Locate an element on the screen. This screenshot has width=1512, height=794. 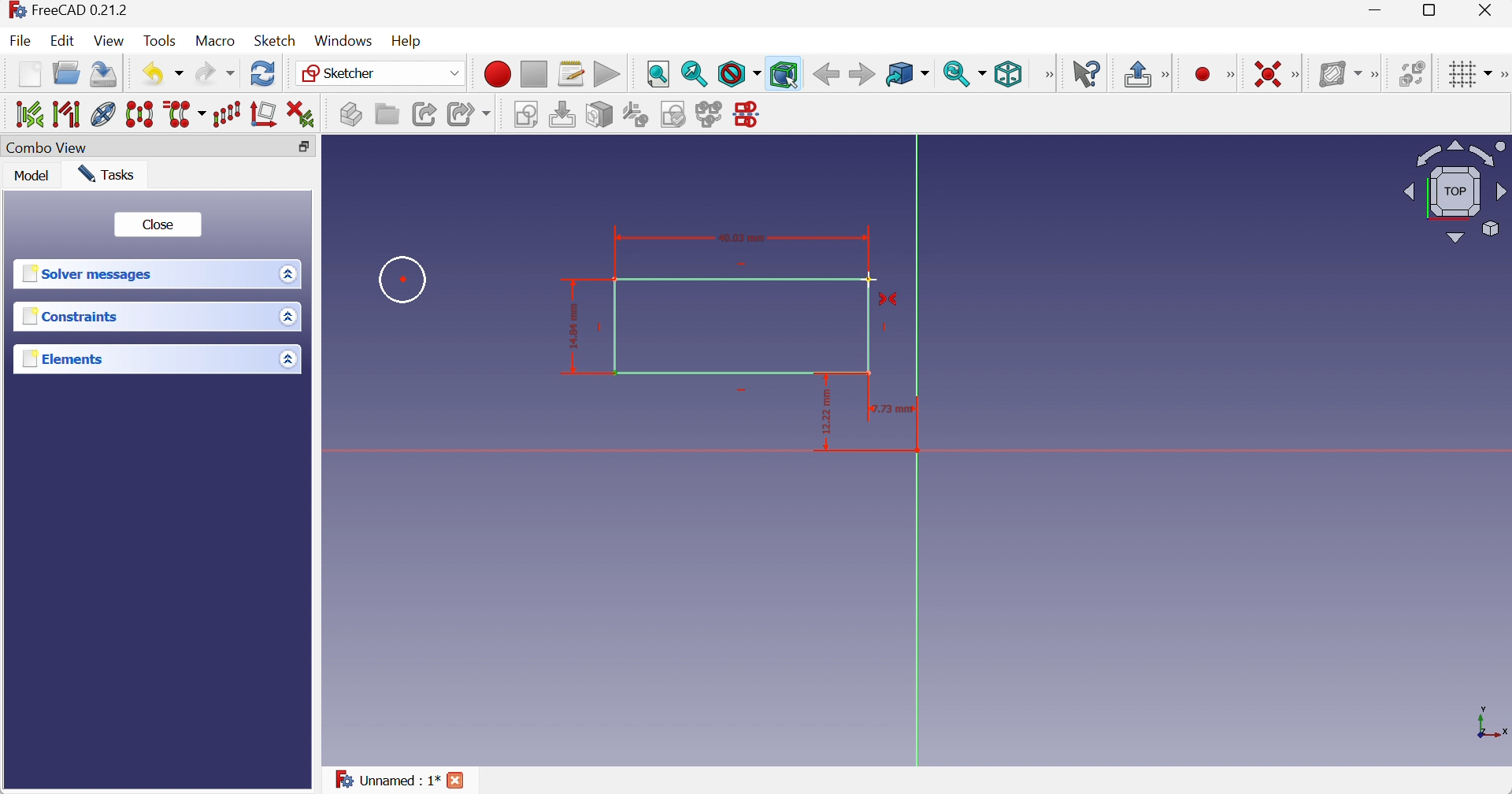
Clone is located at coordinates (187, 114).